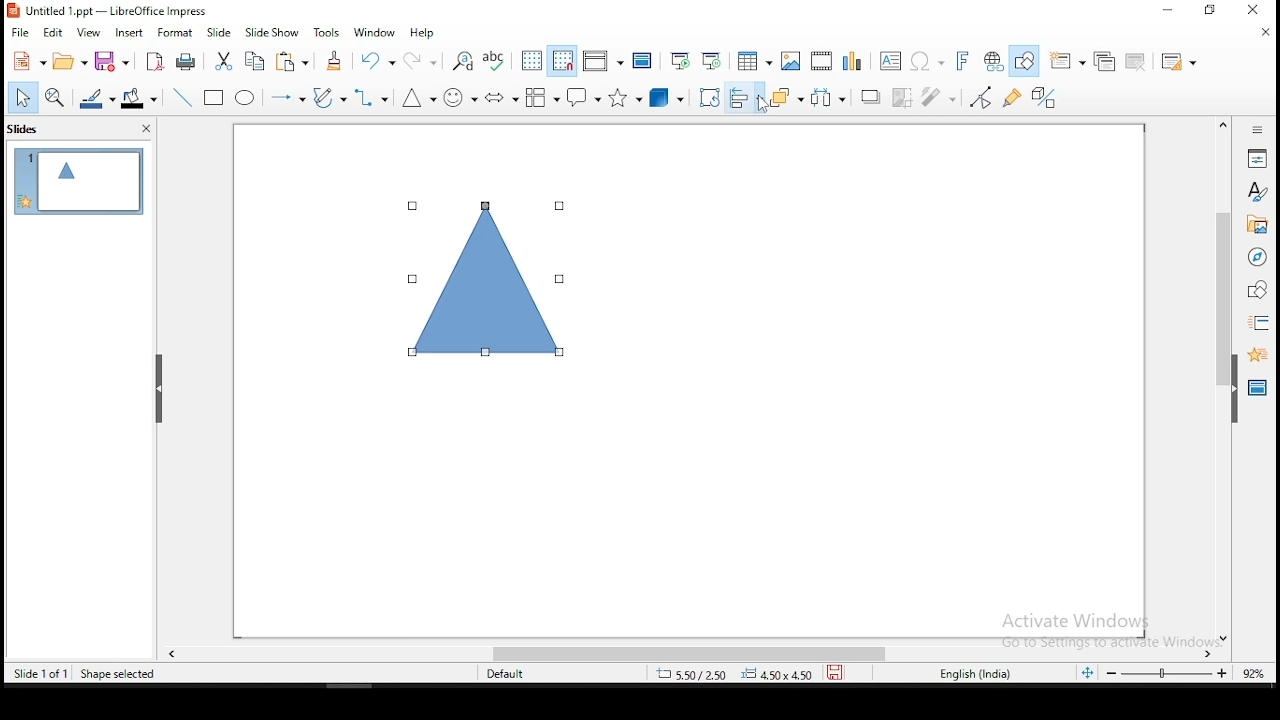  What do you see at coordinates (1262, 322) in the screenshot?
I see `slide transition` at bounding box center [1262, 322].